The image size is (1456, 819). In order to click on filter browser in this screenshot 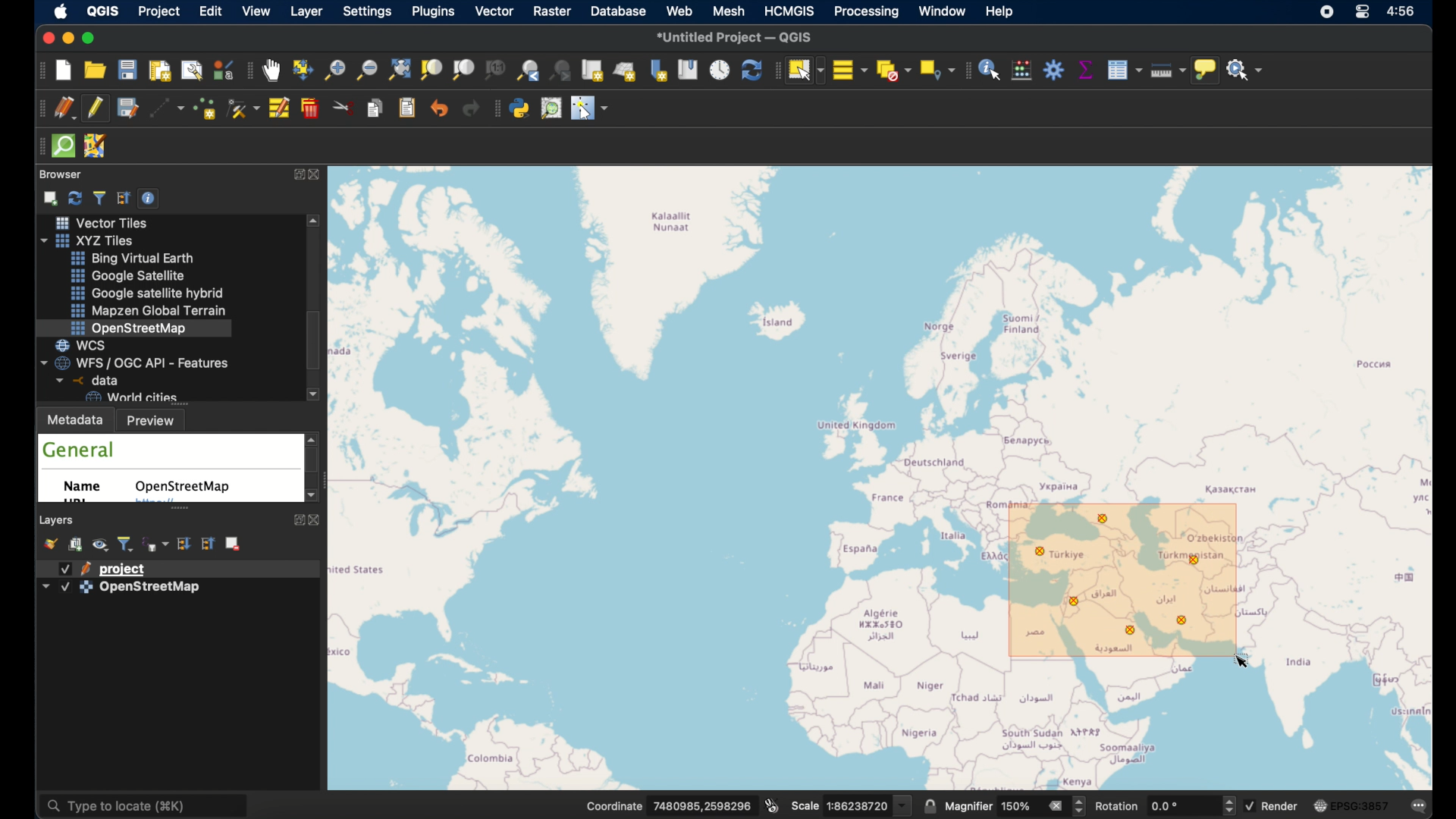, I will do `click(99, 196)`.